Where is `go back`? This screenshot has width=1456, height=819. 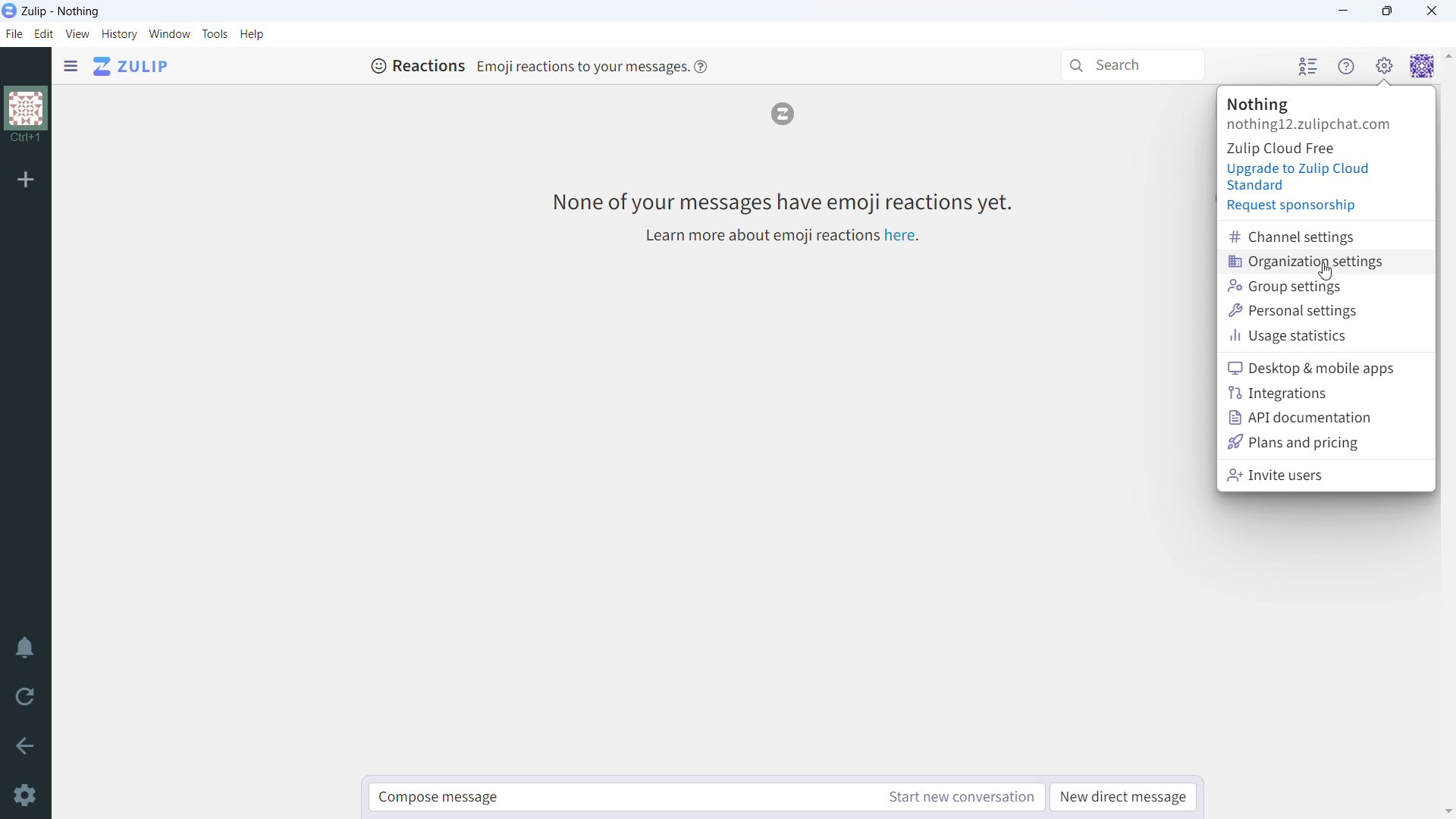
go back is located at coordinates (24, 745).